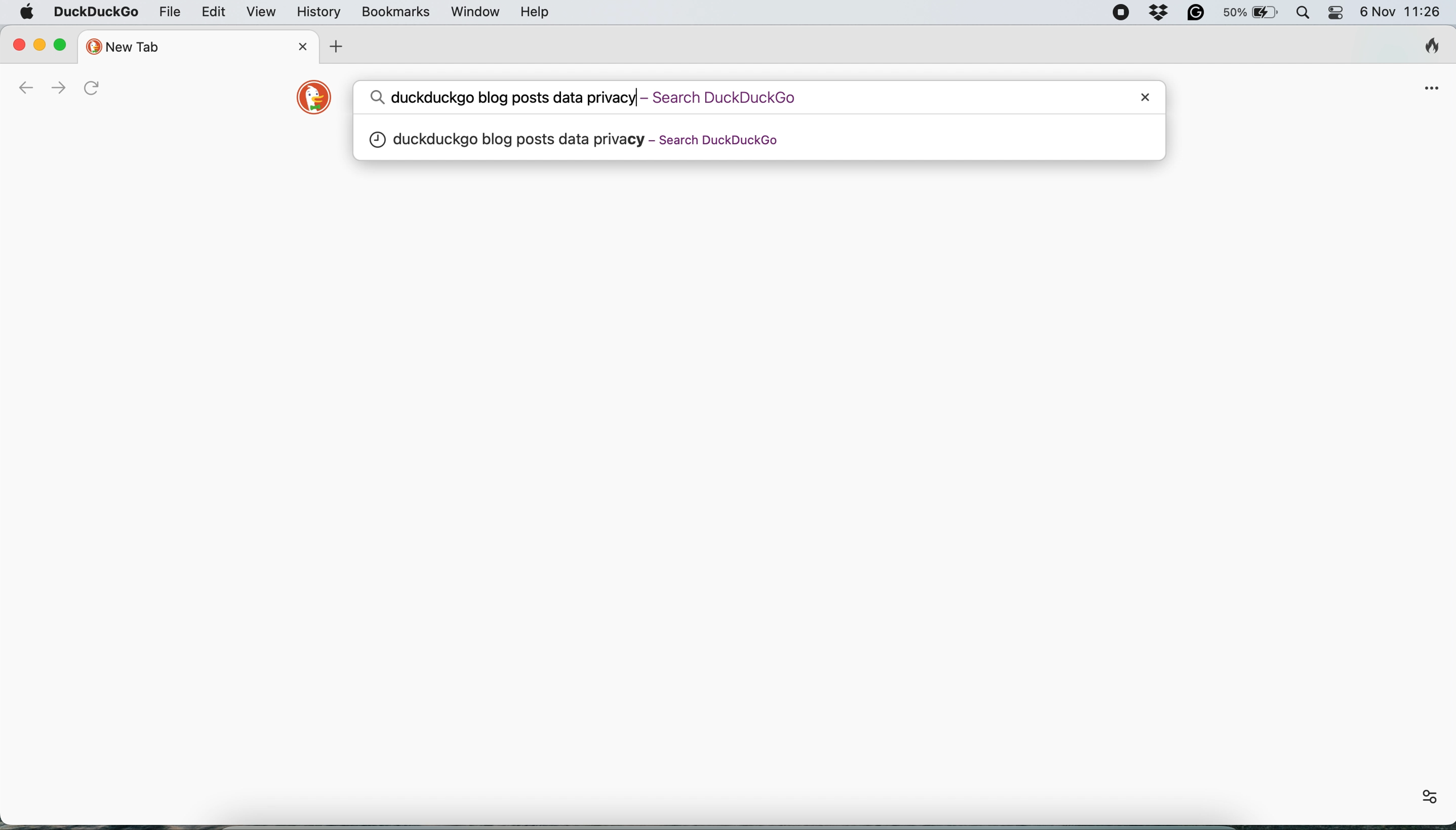 This screenshot has height=830, width=1456. Describe the element at coordinates (758, 140) in the screenshot. I see `pop up` at that location.